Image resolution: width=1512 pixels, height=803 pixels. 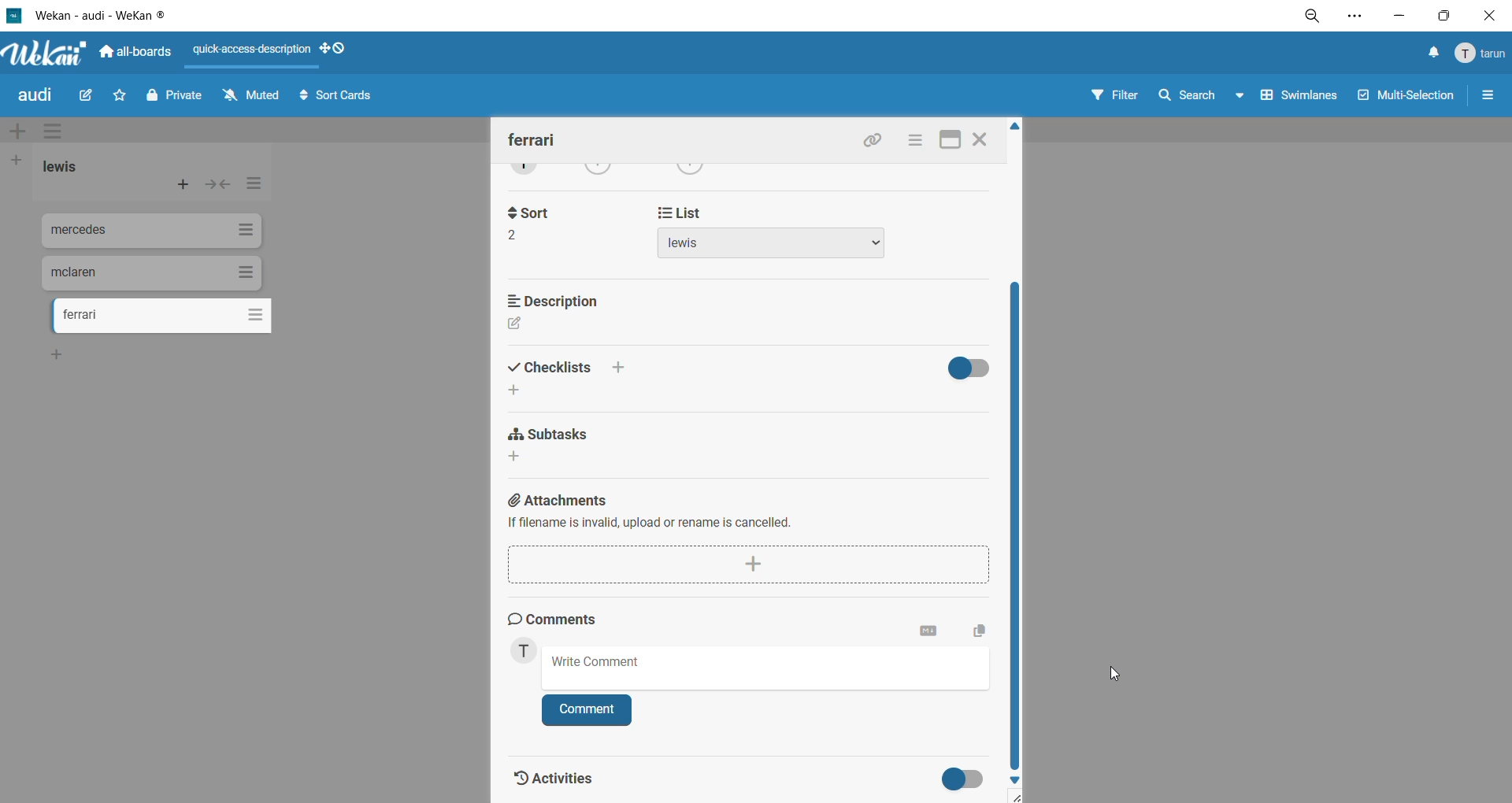 What do you see at coordinates (520, 458) in the screenshot?
I see `add` at bounding box center [520, 458].